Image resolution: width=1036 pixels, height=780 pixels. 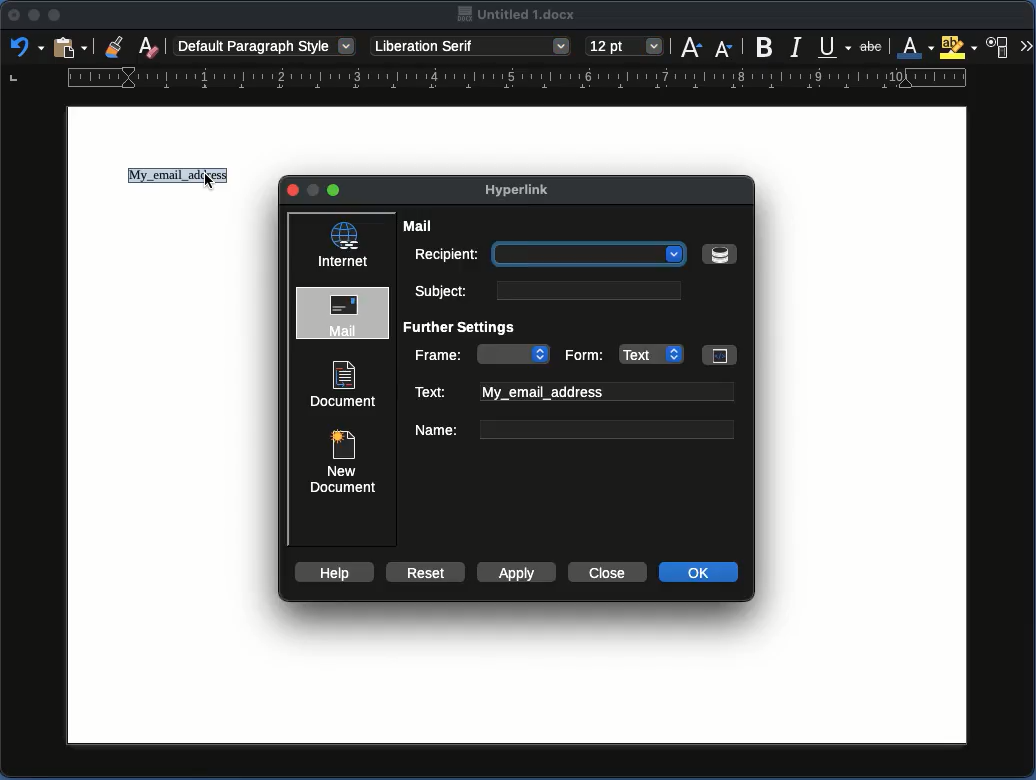 I want to click on Default paragraph style, so click(x=265, y=45).